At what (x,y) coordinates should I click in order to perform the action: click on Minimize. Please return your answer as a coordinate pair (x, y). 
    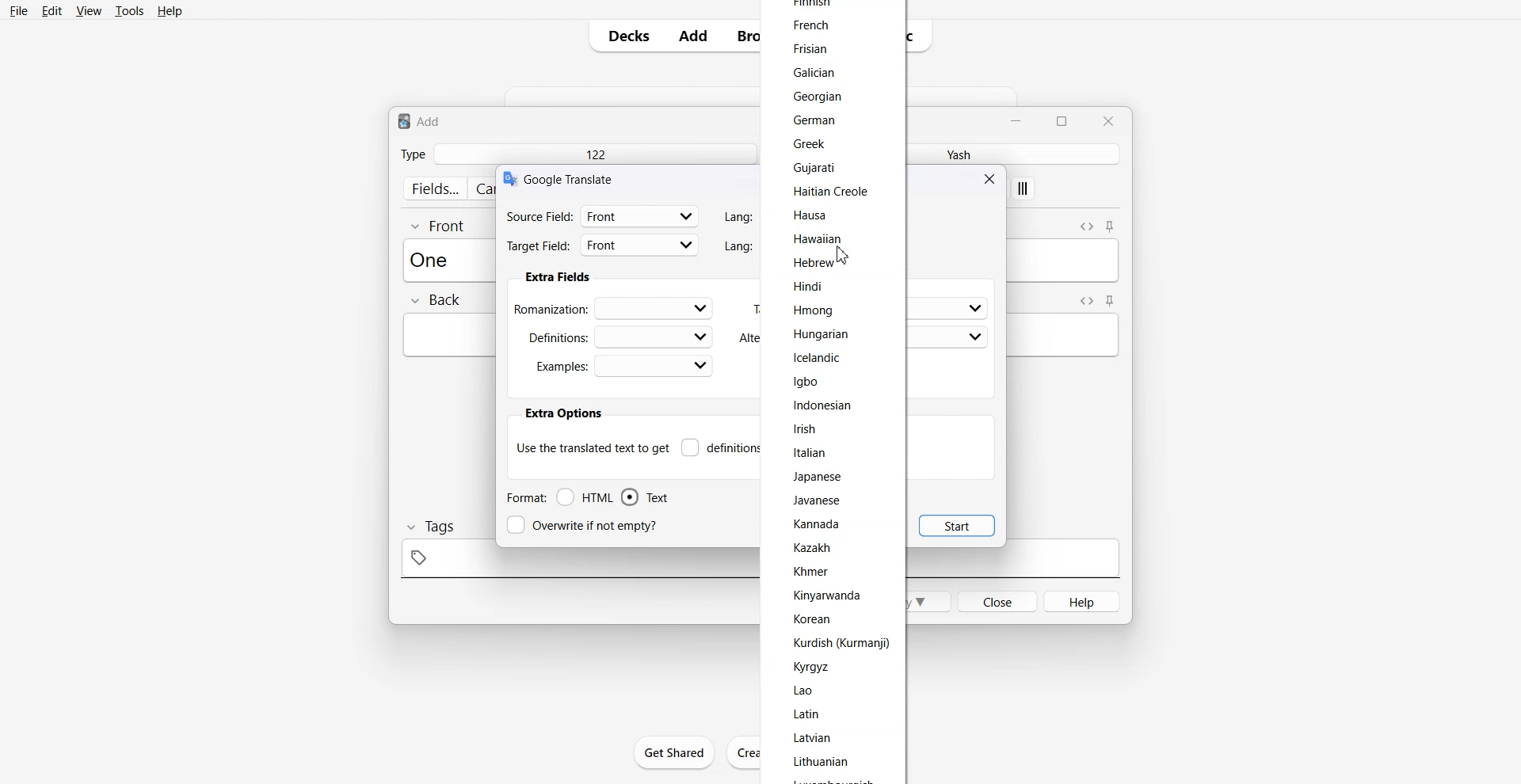
    Looking at the image, I should click on (1018, 120).